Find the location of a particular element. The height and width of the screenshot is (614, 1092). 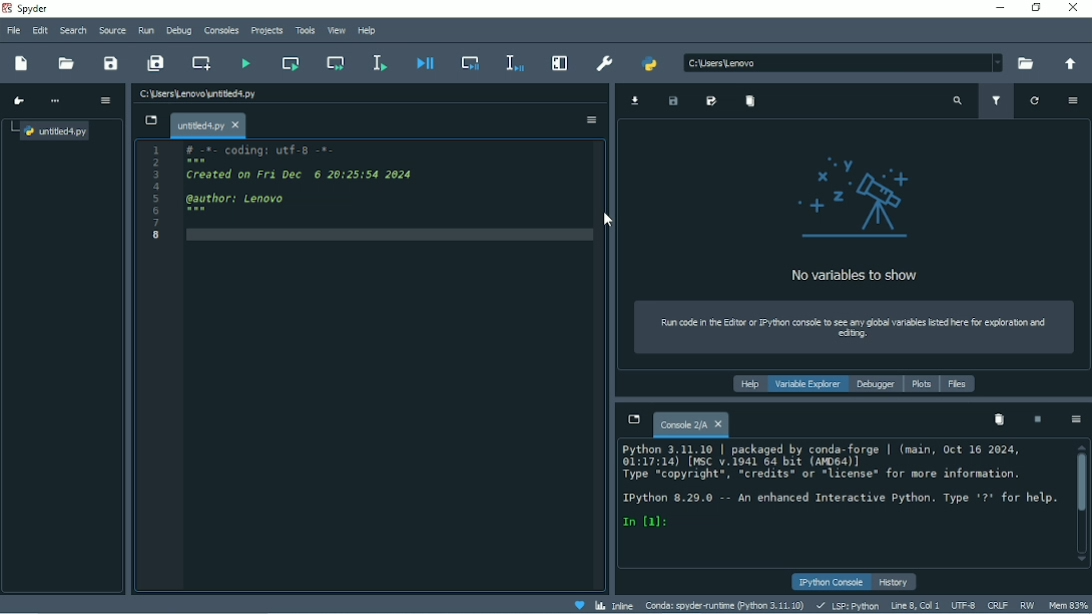

Spyder is located at coordinates (29, 9).